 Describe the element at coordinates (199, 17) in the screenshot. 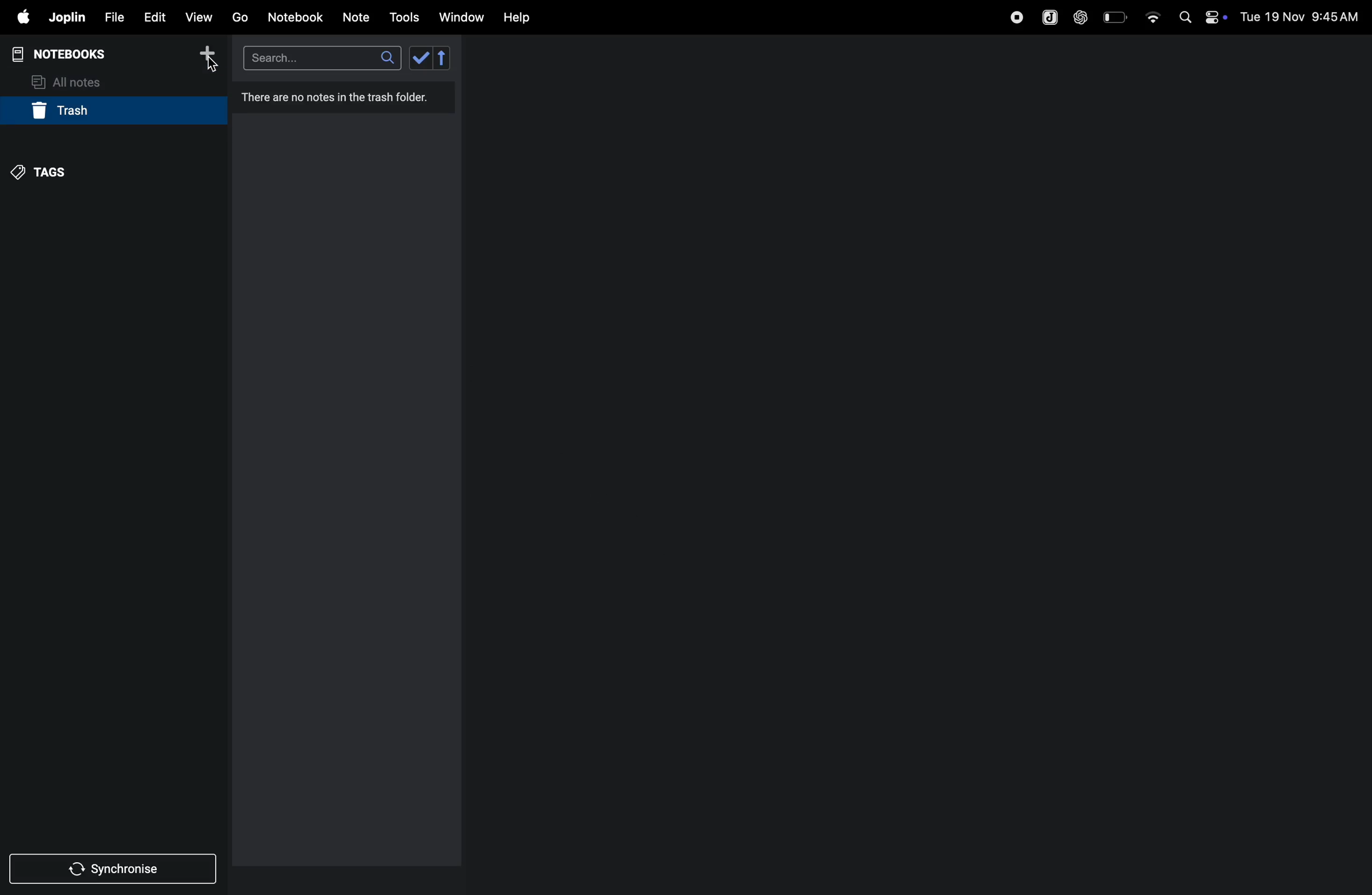

I see `view` at that location.